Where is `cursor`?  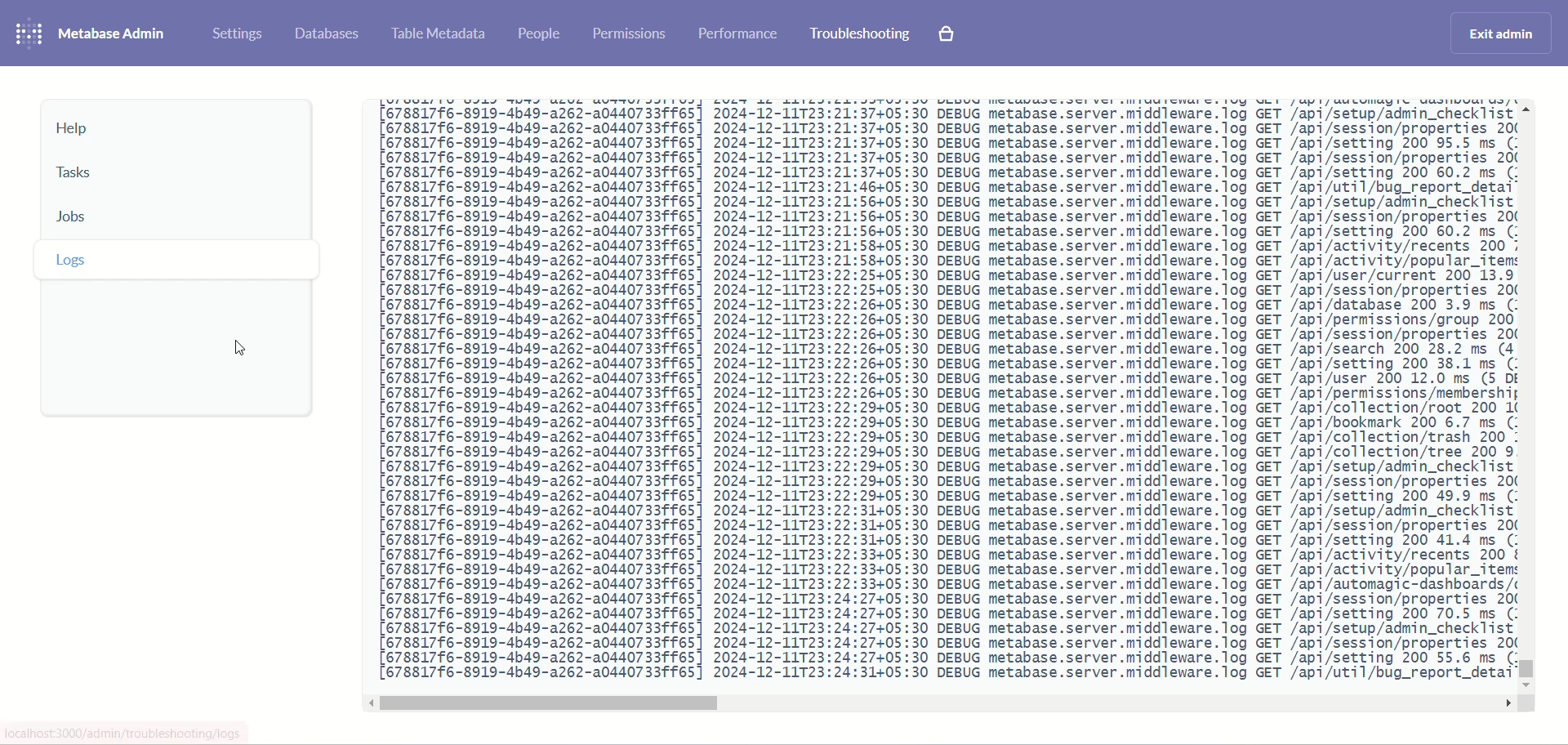
cursor is located at coordinates (241, 349).